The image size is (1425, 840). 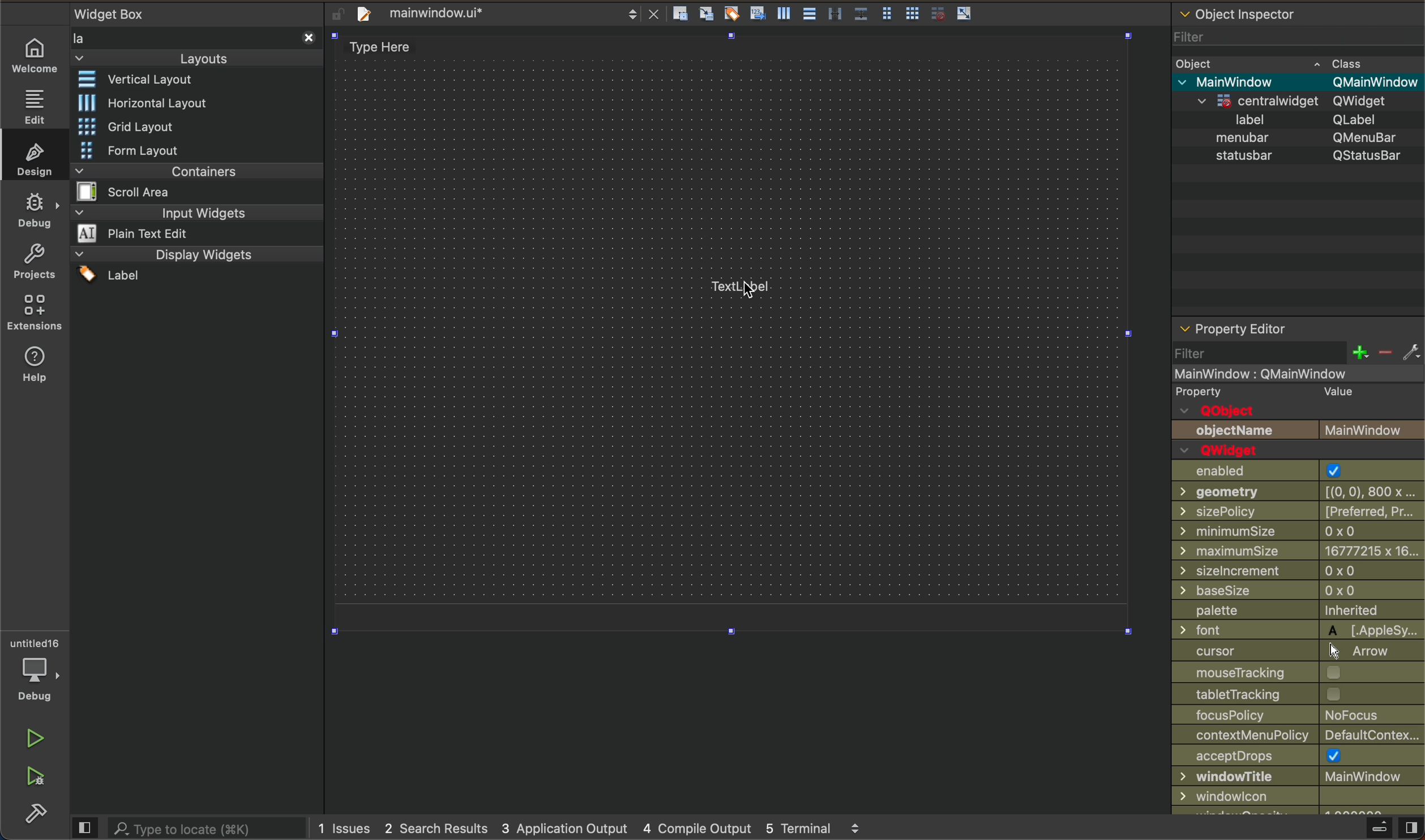 I want to click on mouse tracking, so click(x=1282, y=674).